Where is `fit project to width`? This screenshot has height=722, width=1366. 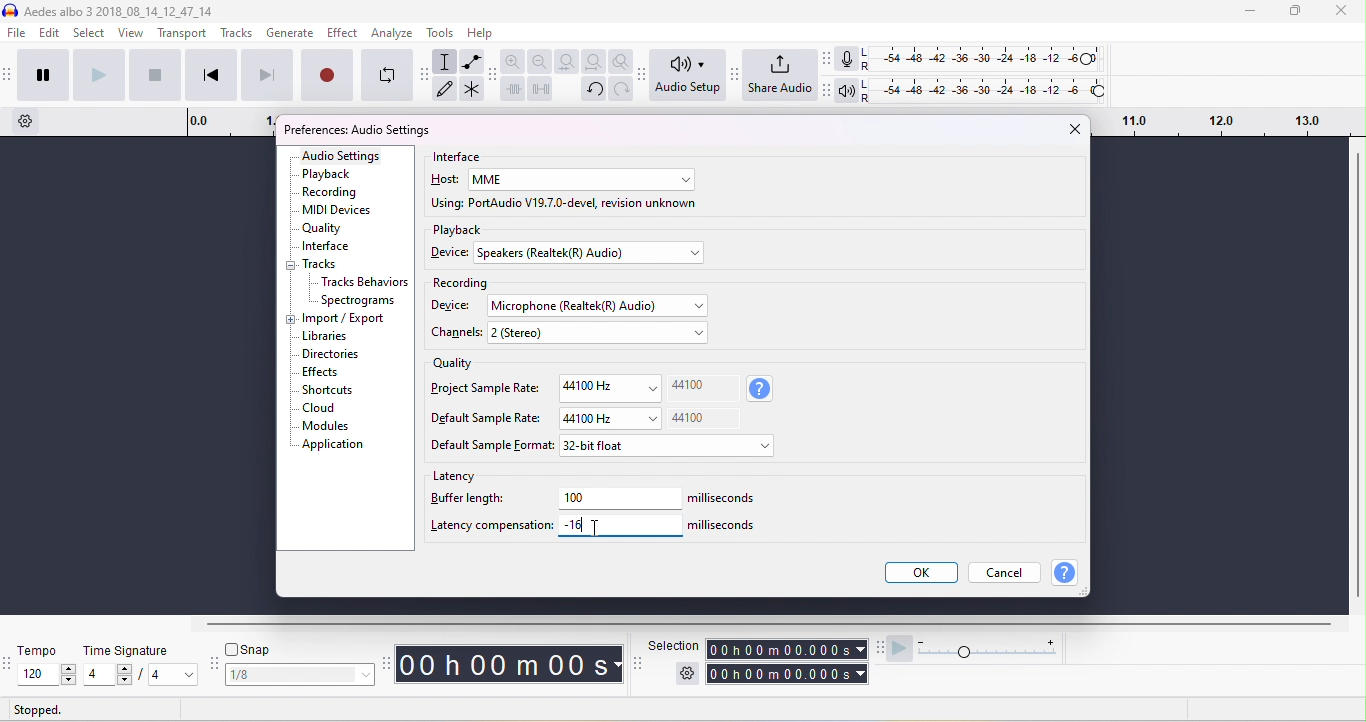 fit project to width is located at coordinates (596, 62).